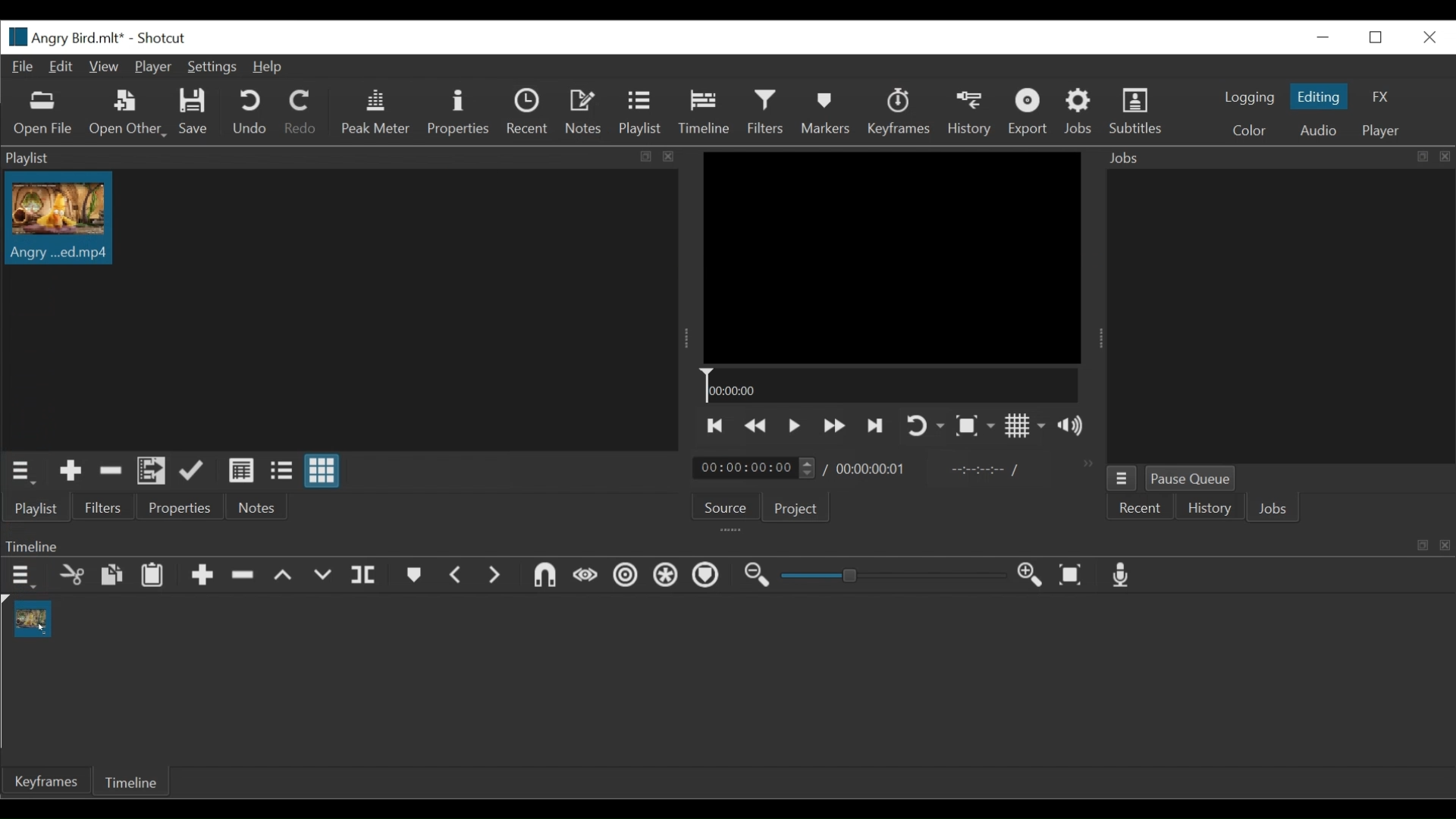 This screenshot has height=819, width=1456. Describe the element at coordinates (1382, 132) in the screenshot. I see `Player` at that location.